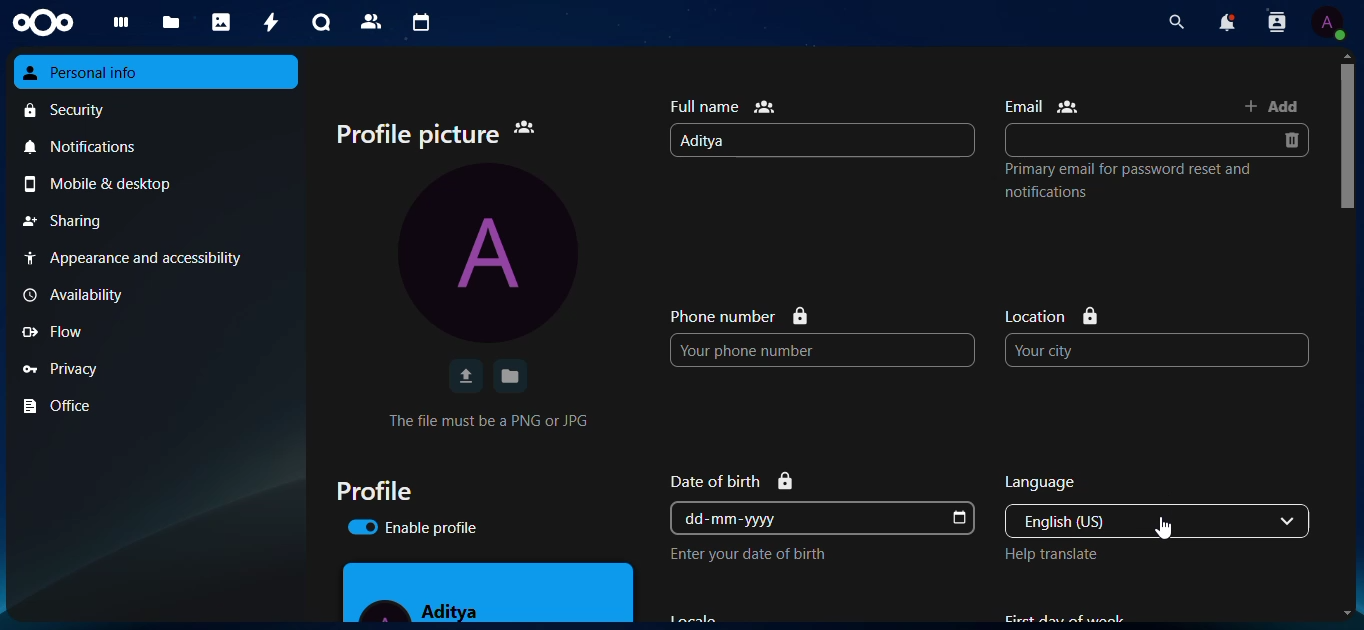 The image size is (1364, 630). Describe the element at coordinates (1062, 480) in the screenshot. I see `language` at that location.